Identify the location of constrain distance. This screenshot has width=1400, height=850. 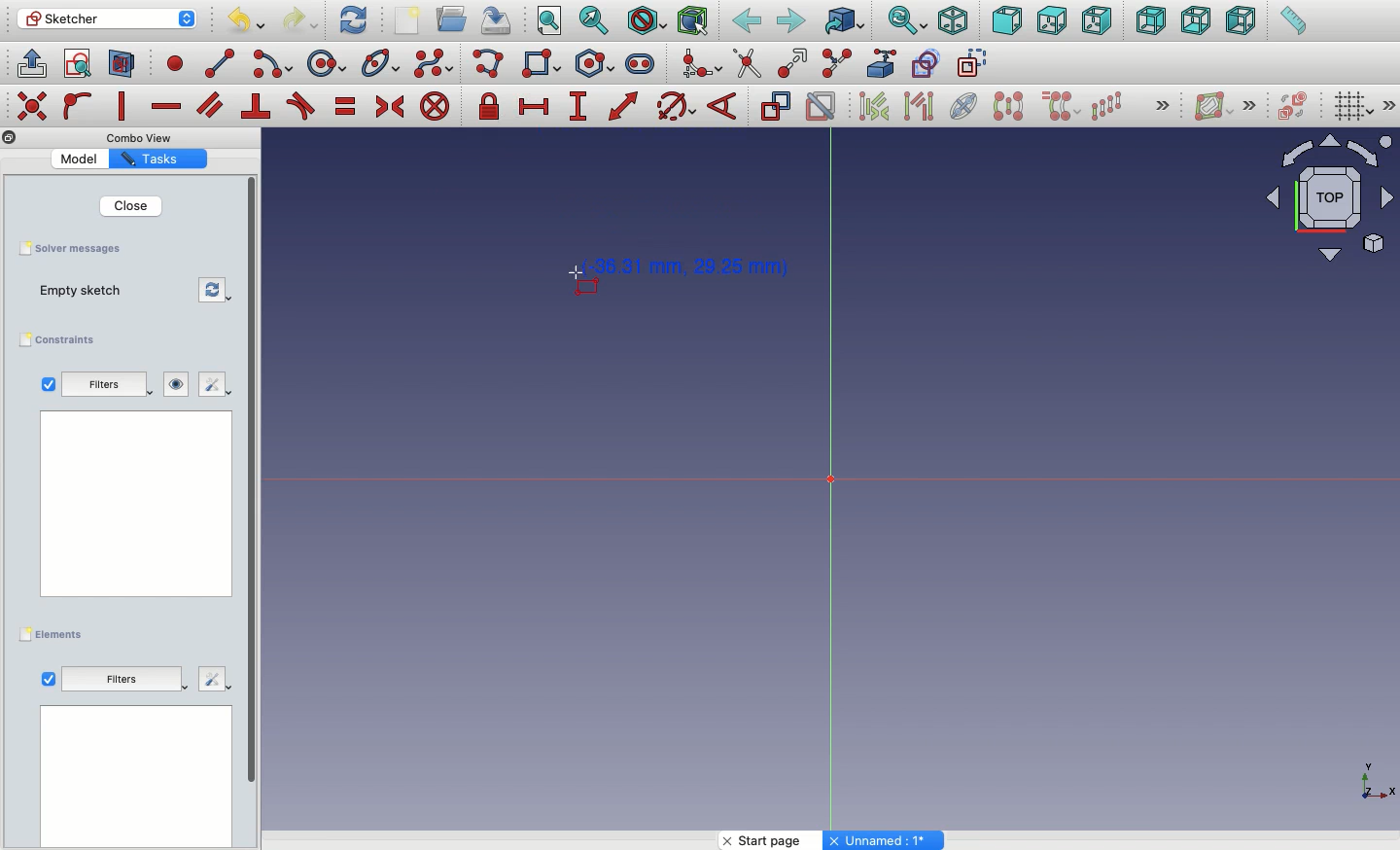
(624, 106).